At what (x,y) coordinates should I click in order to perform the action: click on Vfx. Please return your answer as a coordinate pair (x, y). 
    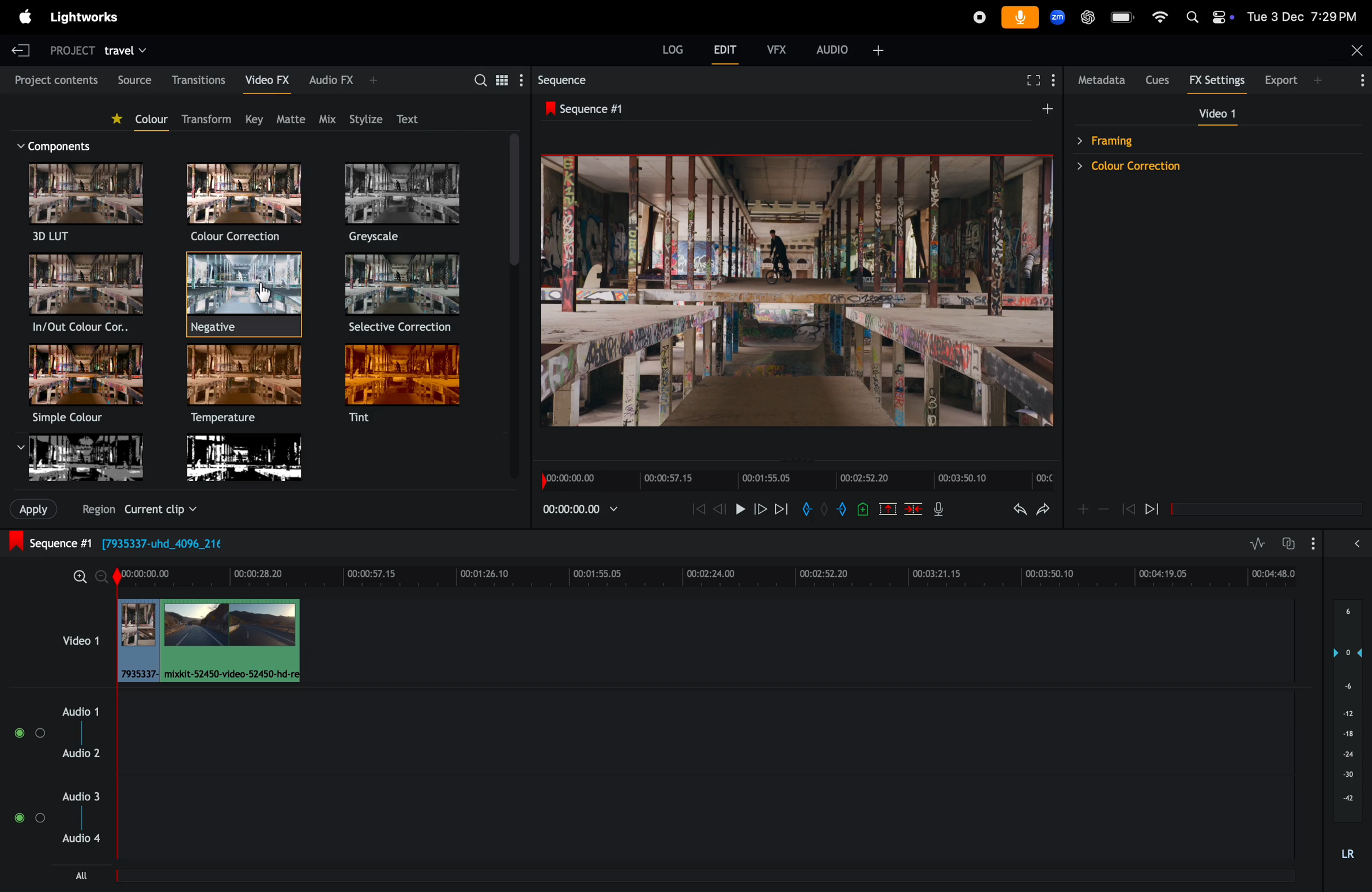
    Looking at the image, I should click on (773, 48).